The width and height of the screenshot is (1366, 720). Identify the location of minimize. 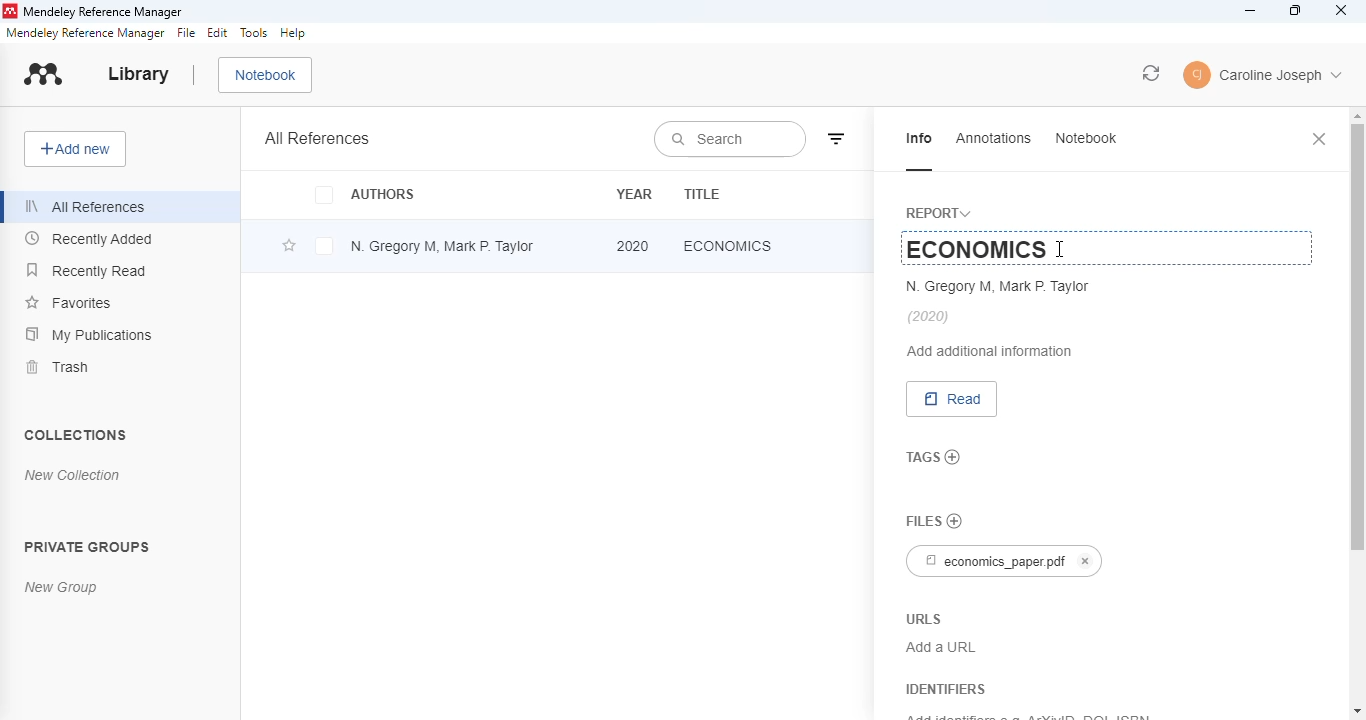
(1252, 11).